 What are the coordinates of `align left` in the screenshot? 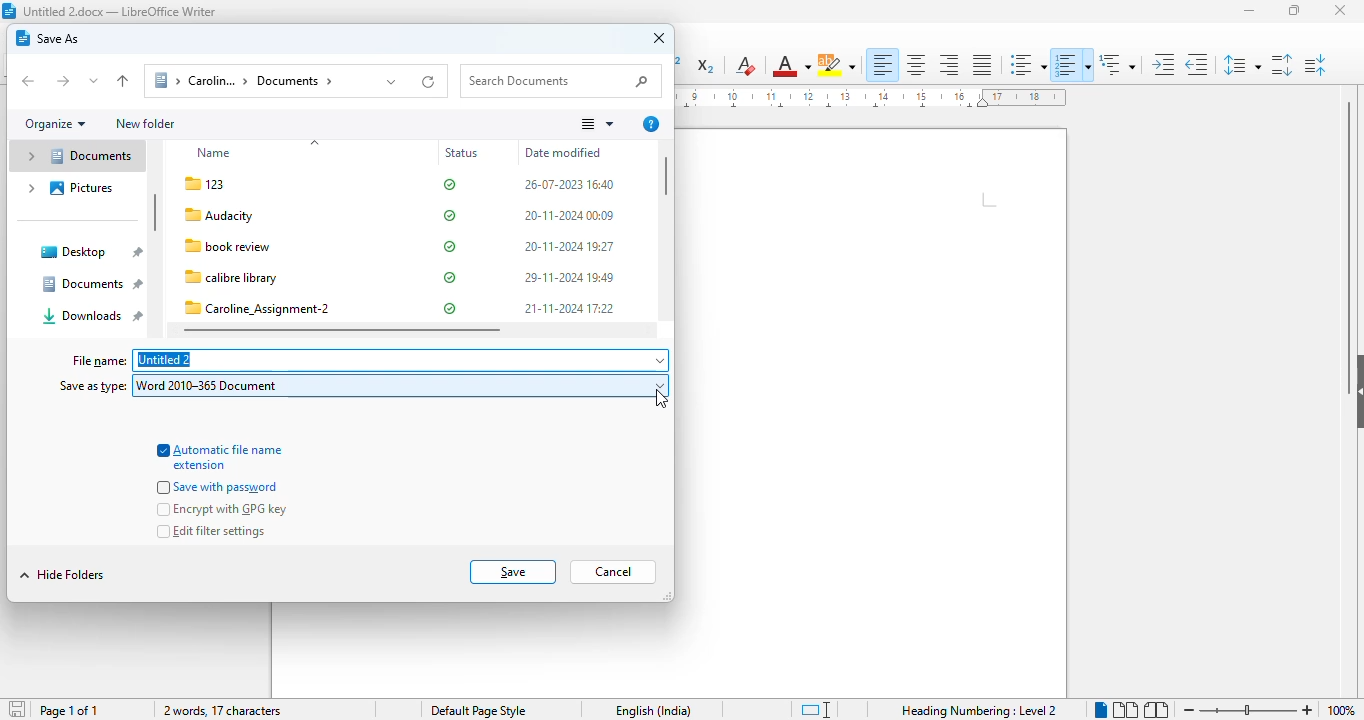 It's located at (884, 65).